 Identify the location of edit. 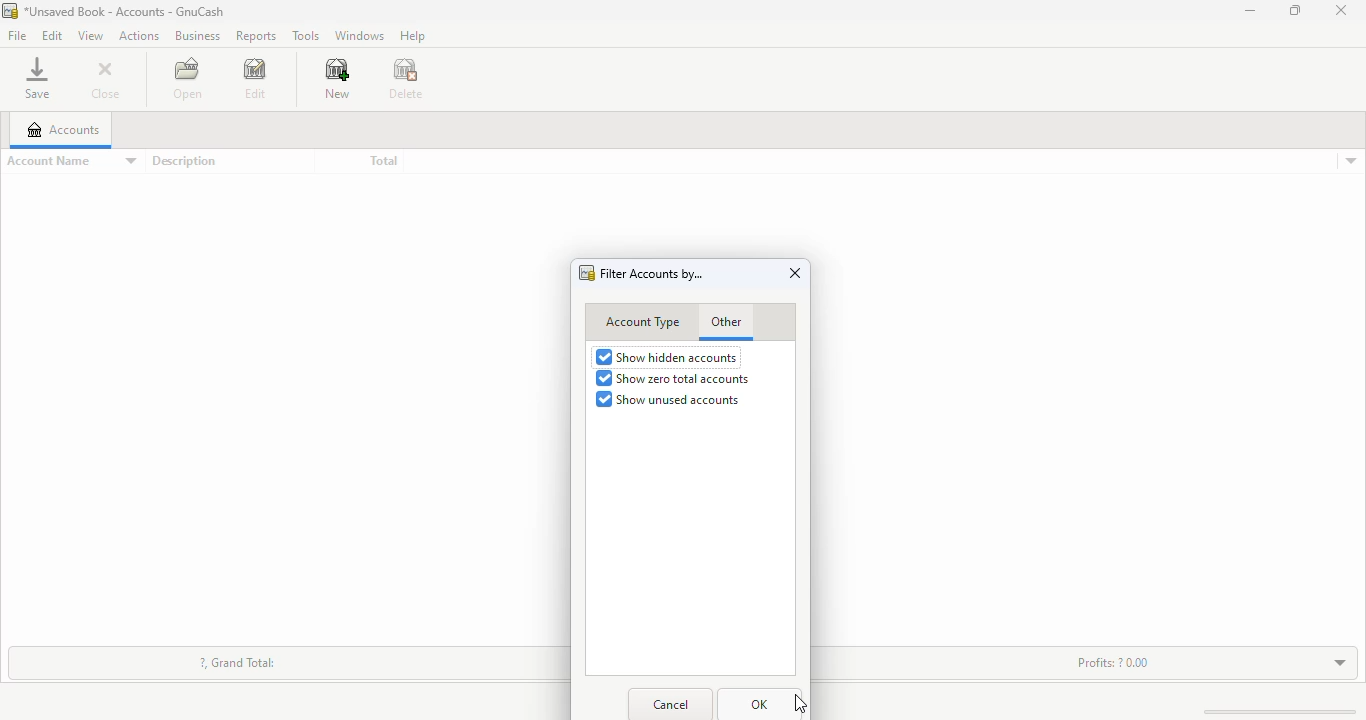
(52, 35).